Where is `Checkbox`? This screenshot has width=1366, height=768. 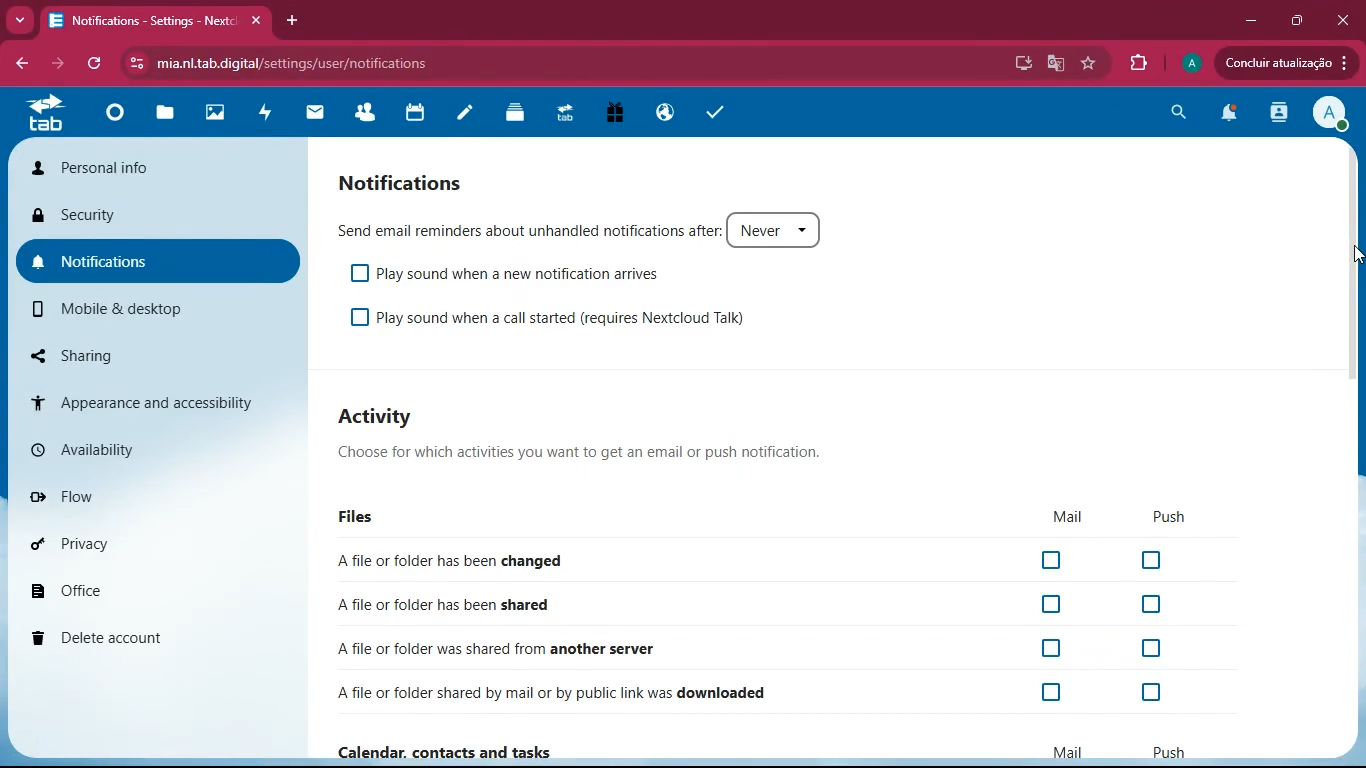
Checkbox is located at coordinates (1055, 561).